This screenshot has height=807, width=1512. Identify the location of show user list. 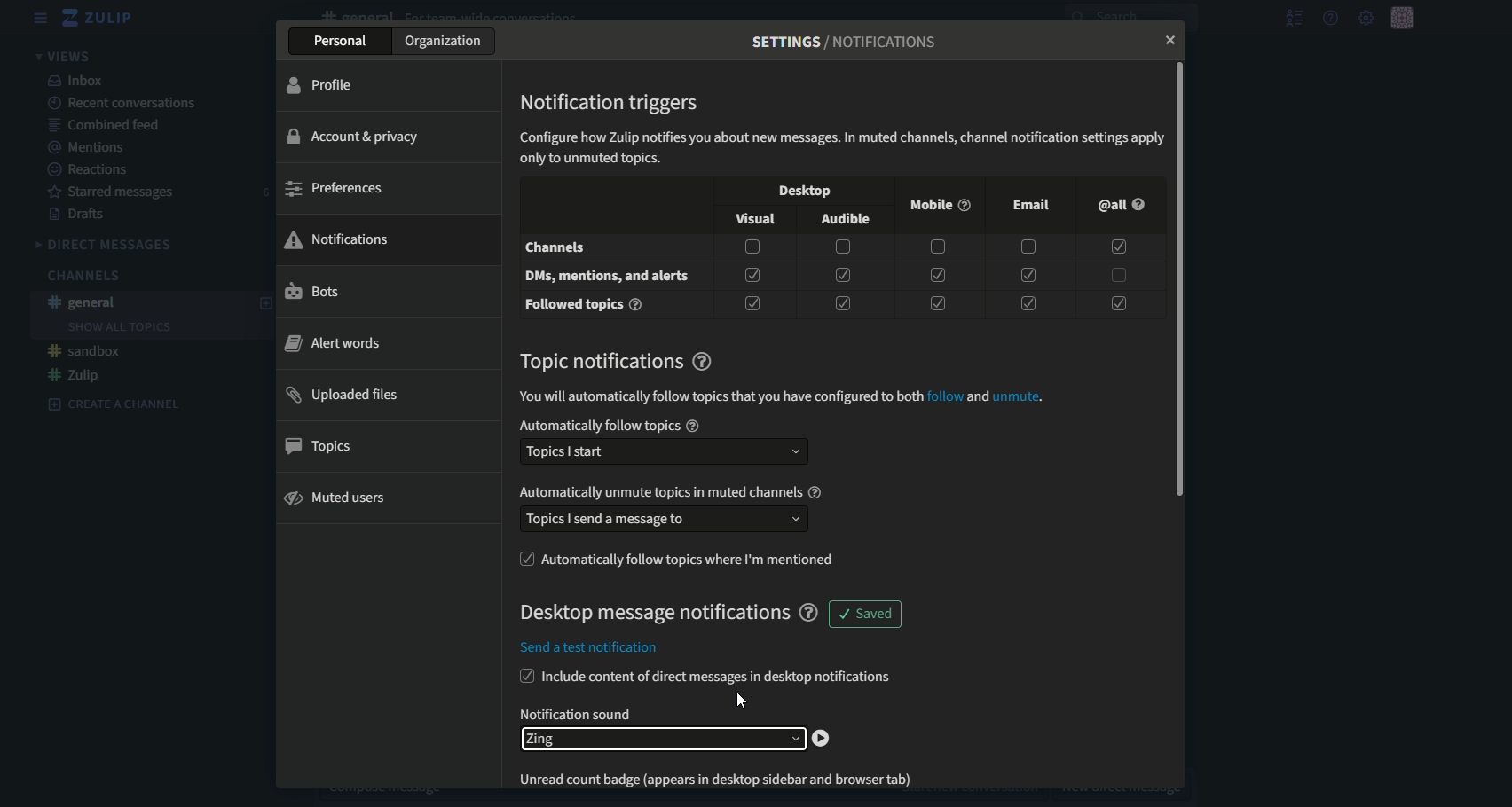
(1294, 18).